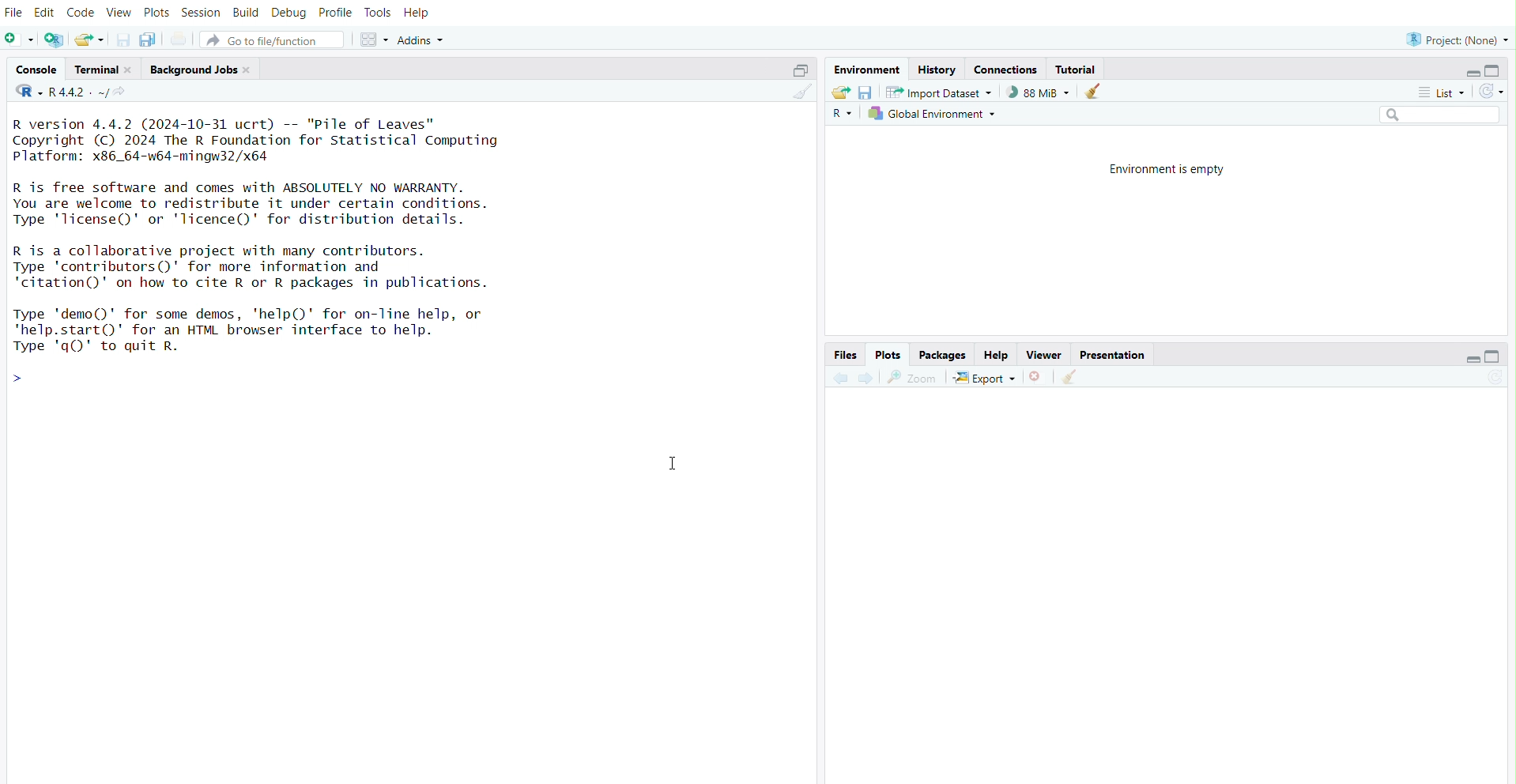 Image resolution: width=1516 pixels, height=784 pixels. I want to click on profile, so click(334, 10).